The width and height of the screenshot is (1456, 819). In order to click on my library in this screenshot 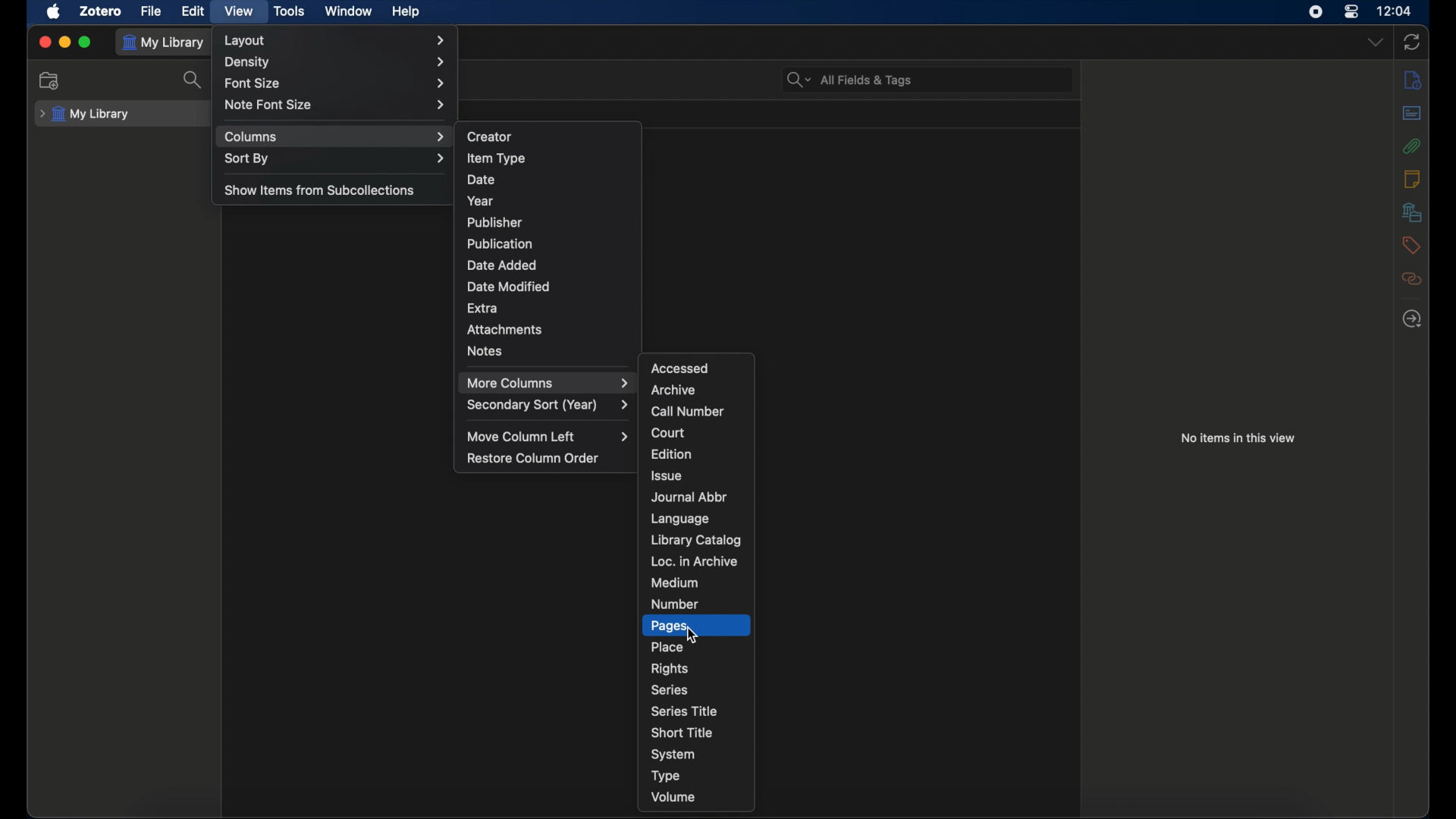, I will do `click(164, 42)`.